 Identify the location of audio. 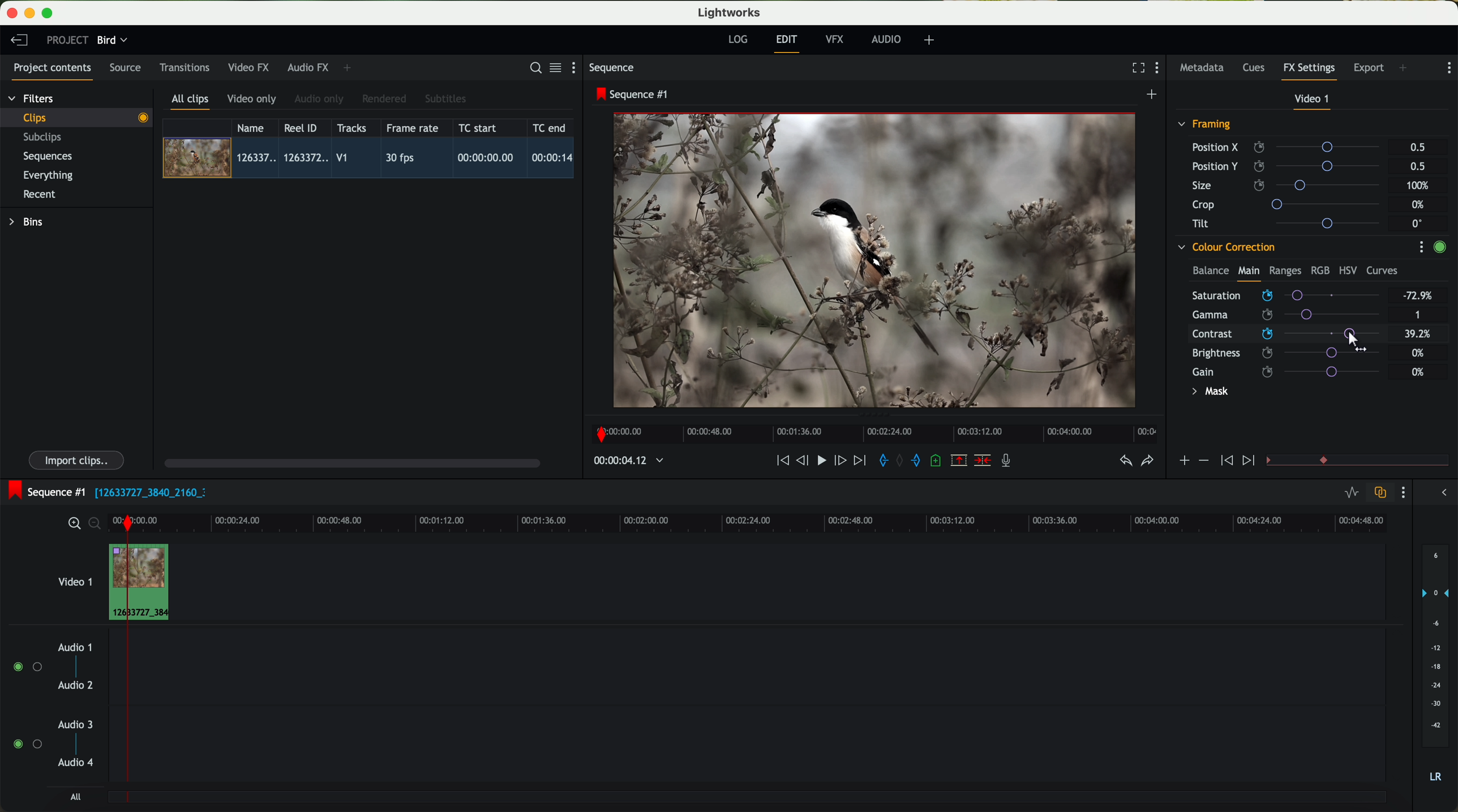
(886, 39).